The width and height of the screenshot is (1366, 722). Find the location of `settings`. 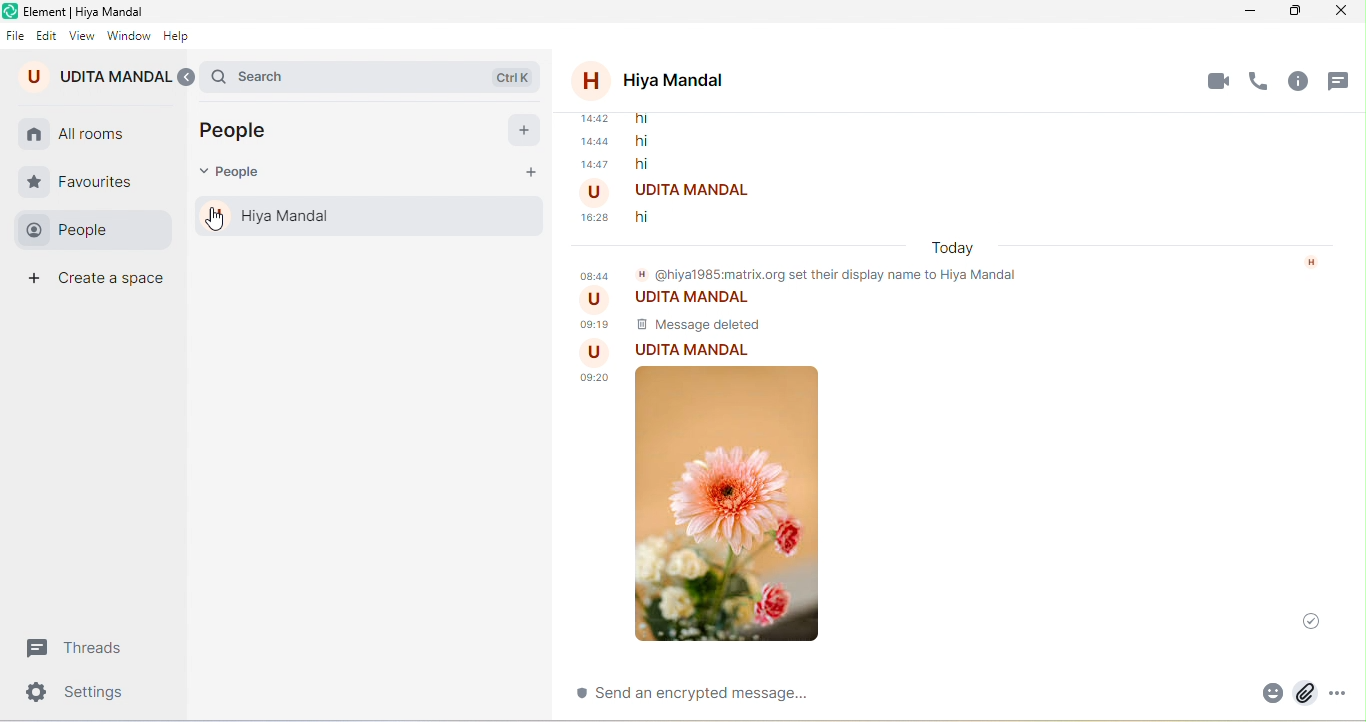

settings is located at coordinates (84, 695).